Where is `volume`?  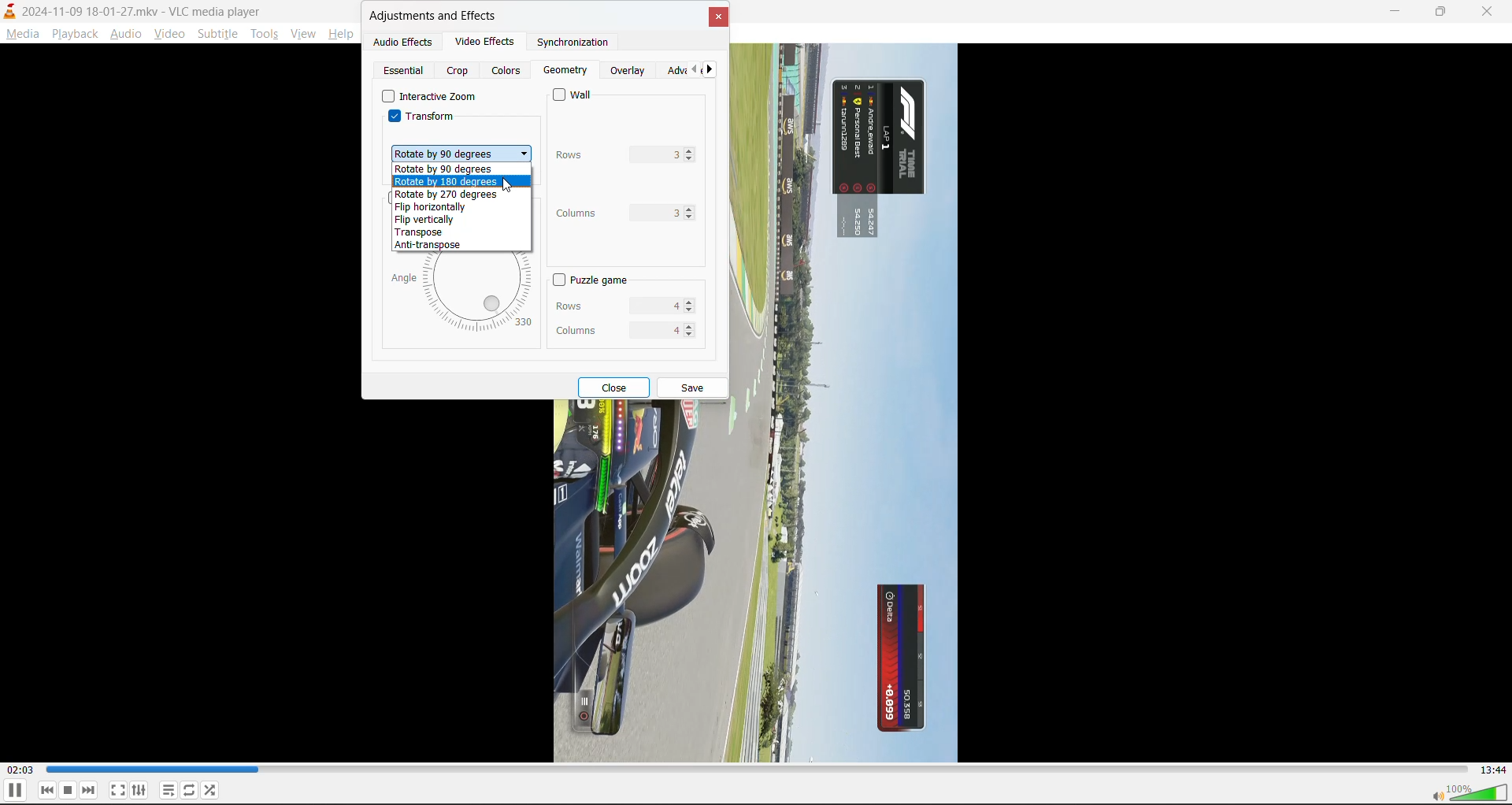
volume is located at coordinates (1471, 794).